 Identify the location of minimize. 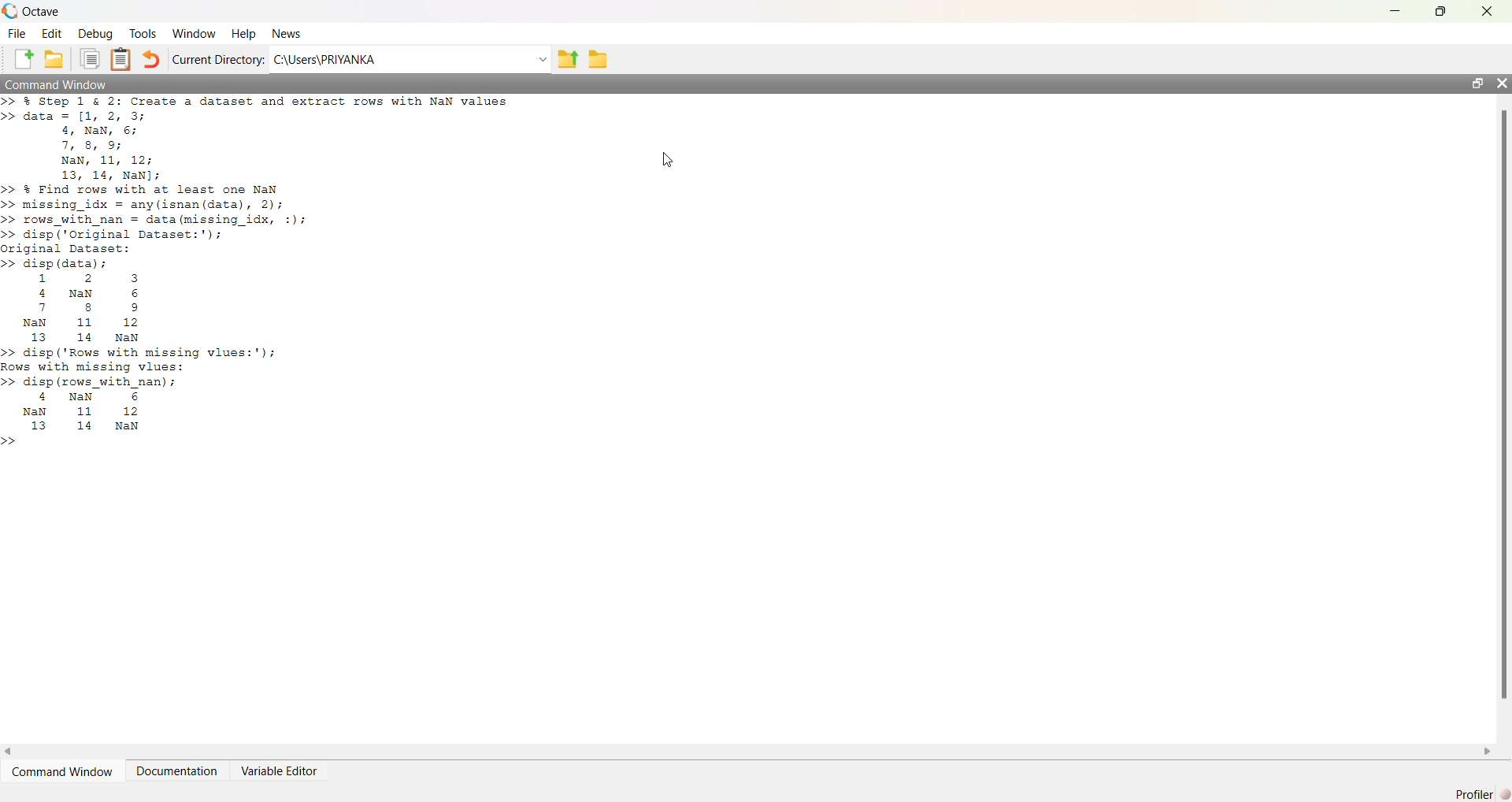
(1395, 11).